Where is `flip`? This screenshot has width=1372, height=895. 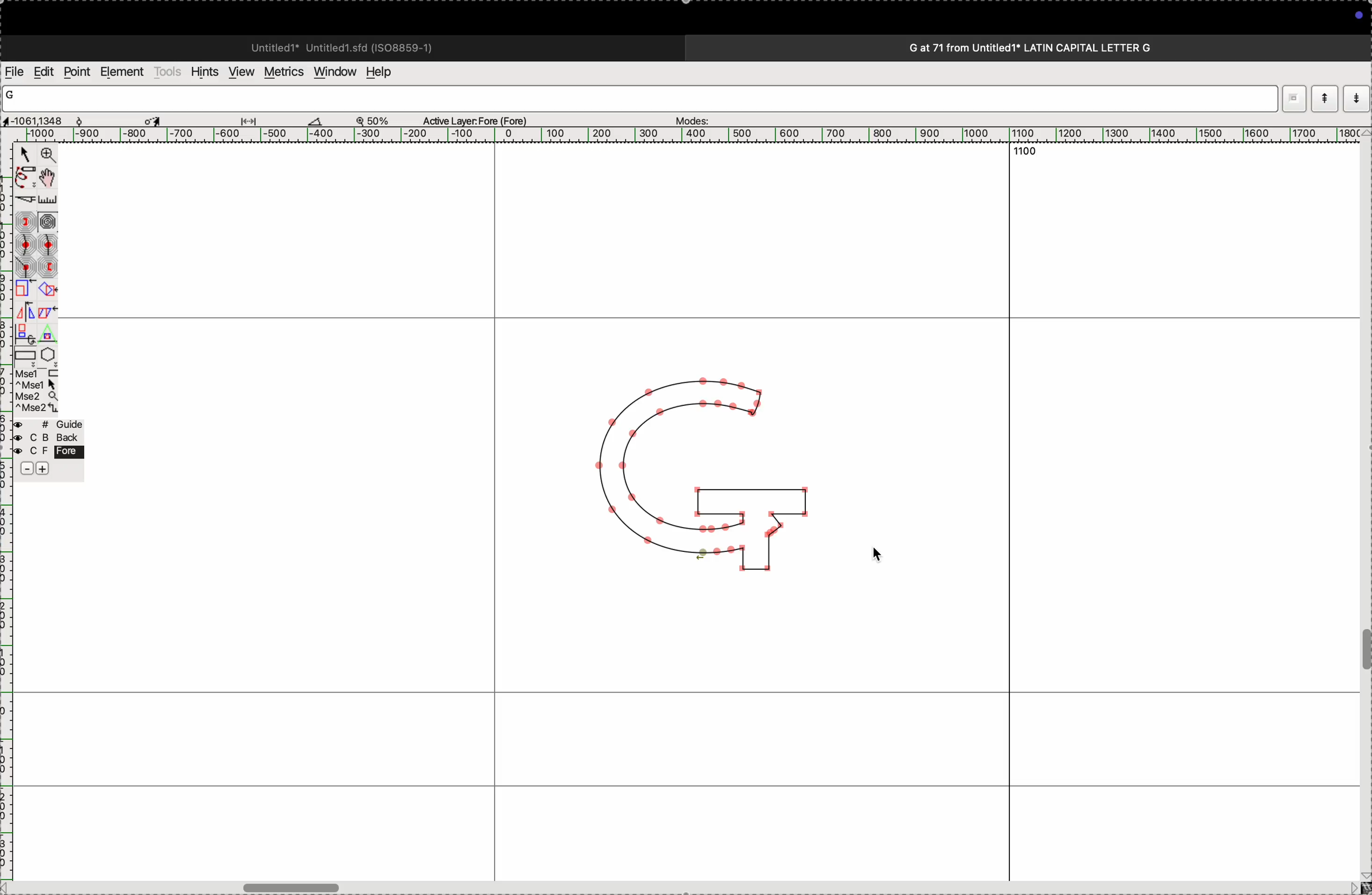
flip is located at coordinates (25, 312).